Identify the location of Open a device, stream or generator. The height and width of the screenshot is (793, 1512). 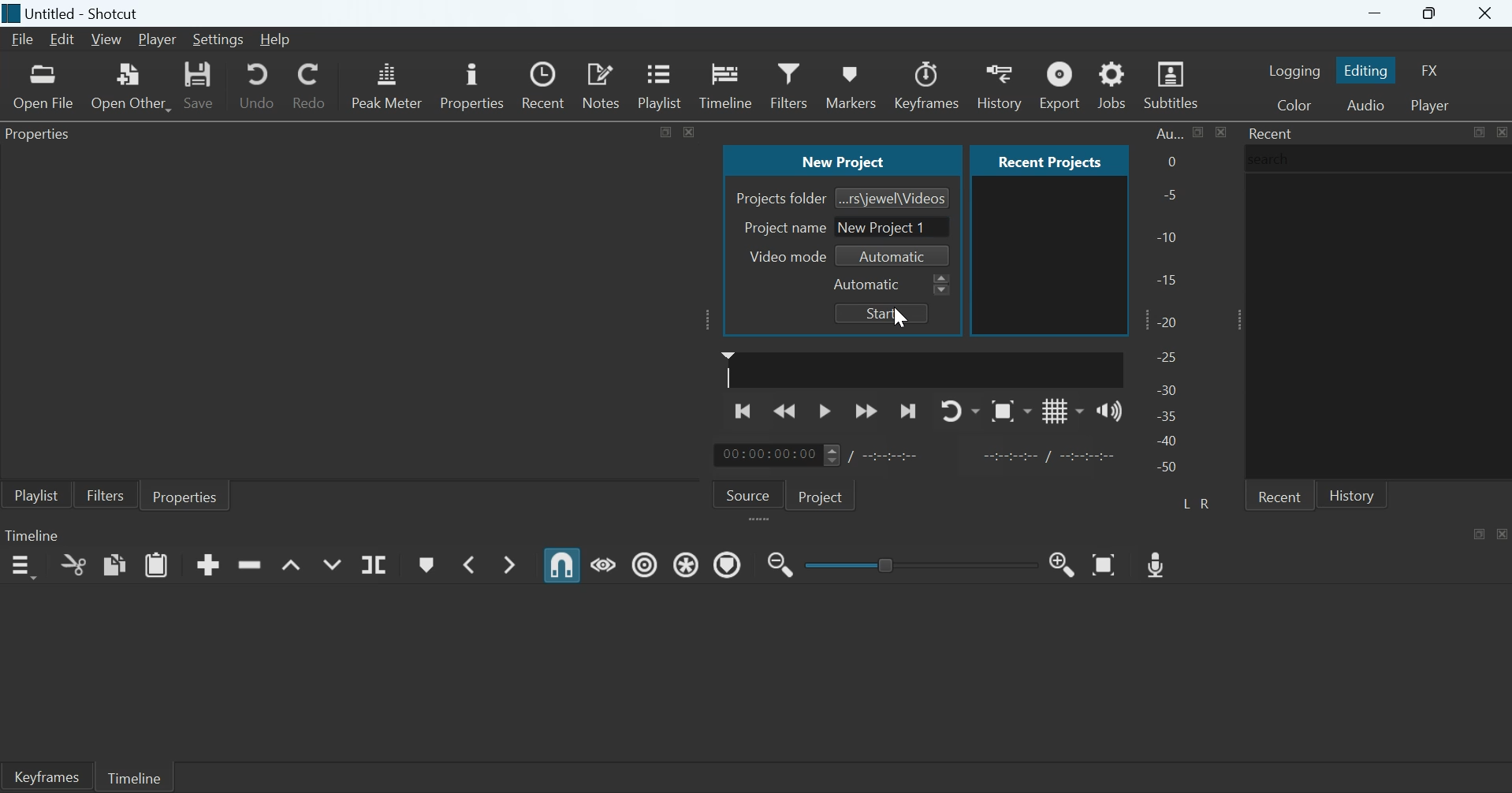
(131, 86).